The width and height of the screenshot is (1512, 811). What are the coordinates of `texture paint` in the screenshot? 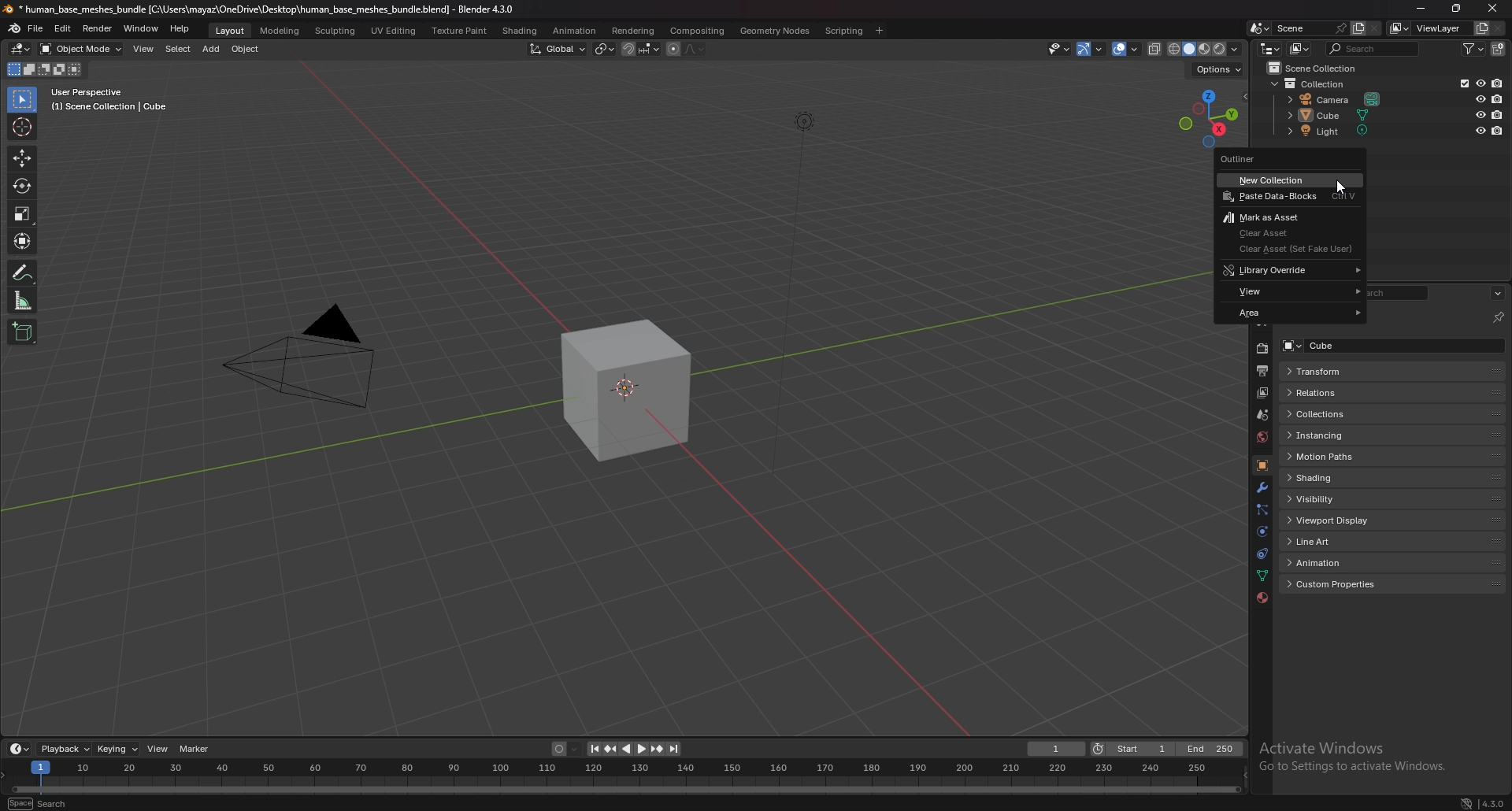 It's located at (461, 31).